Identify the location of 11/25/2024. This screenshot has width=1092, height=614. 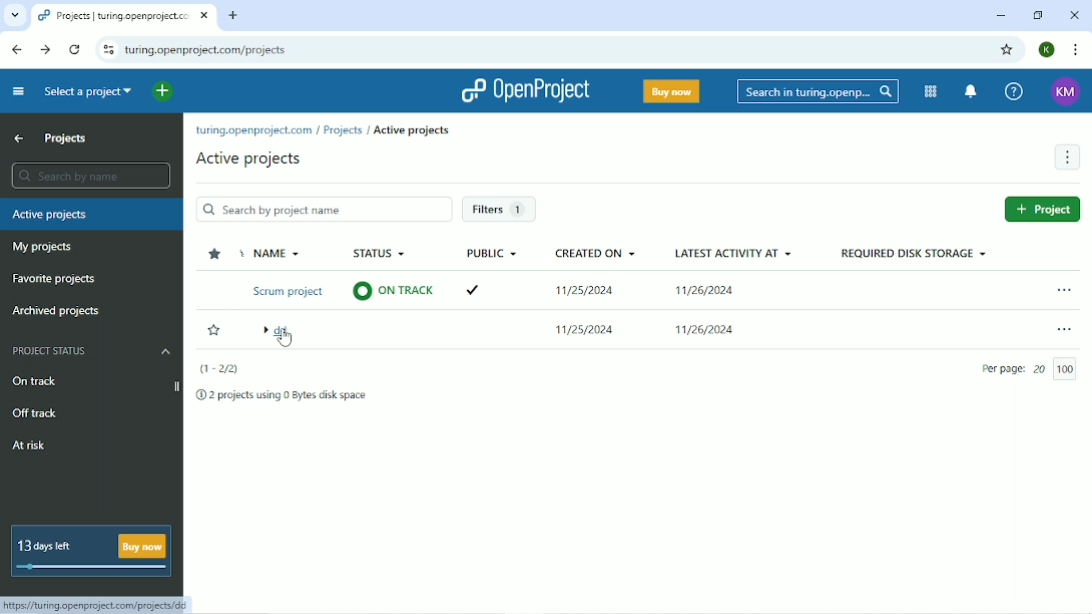
(579, 290).